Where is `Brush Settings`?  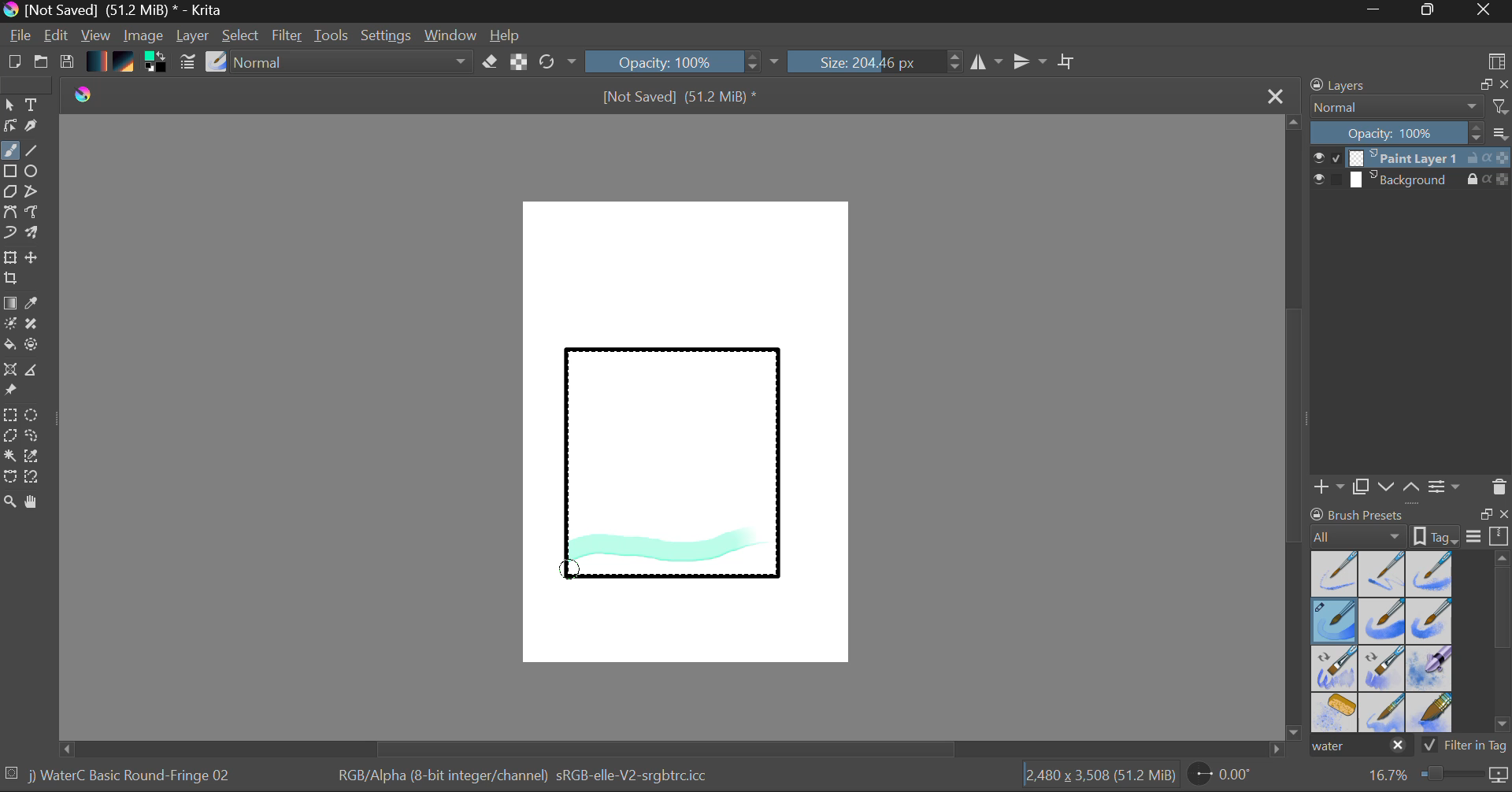 Brush Settings is located at coordinates (186, 63).